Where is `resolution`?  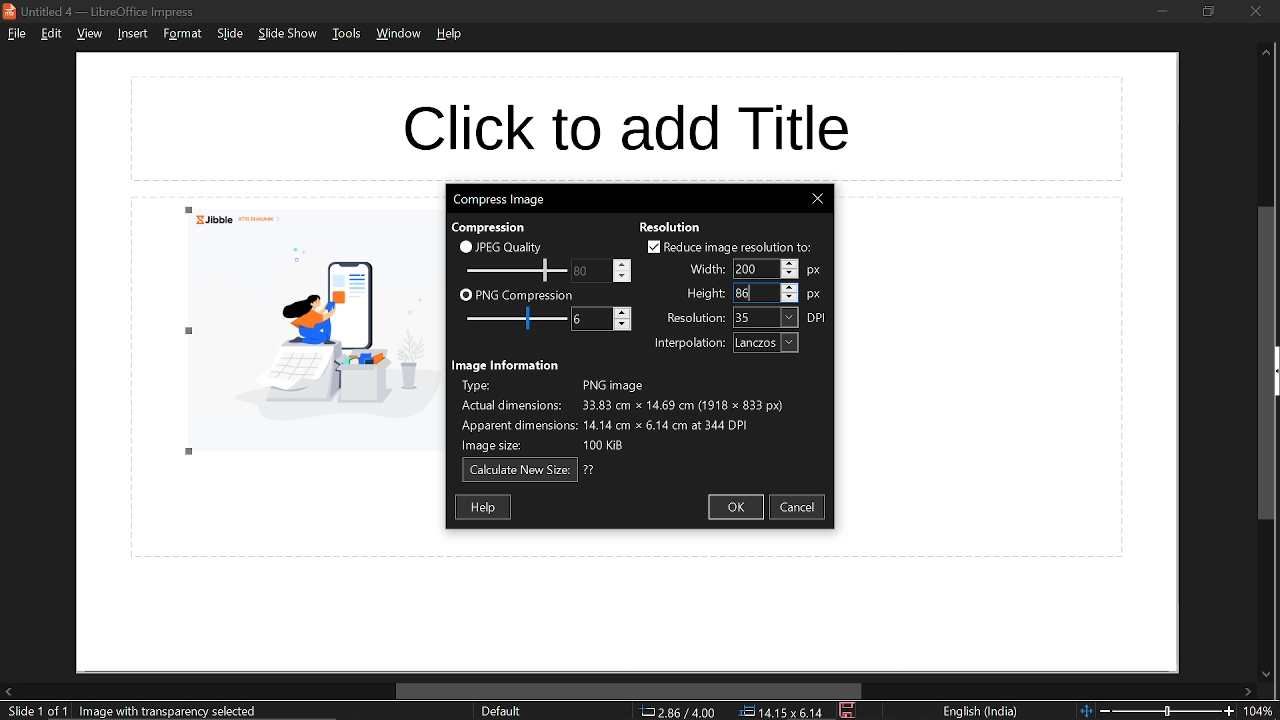
resolution is located at coordinates (766, 318).